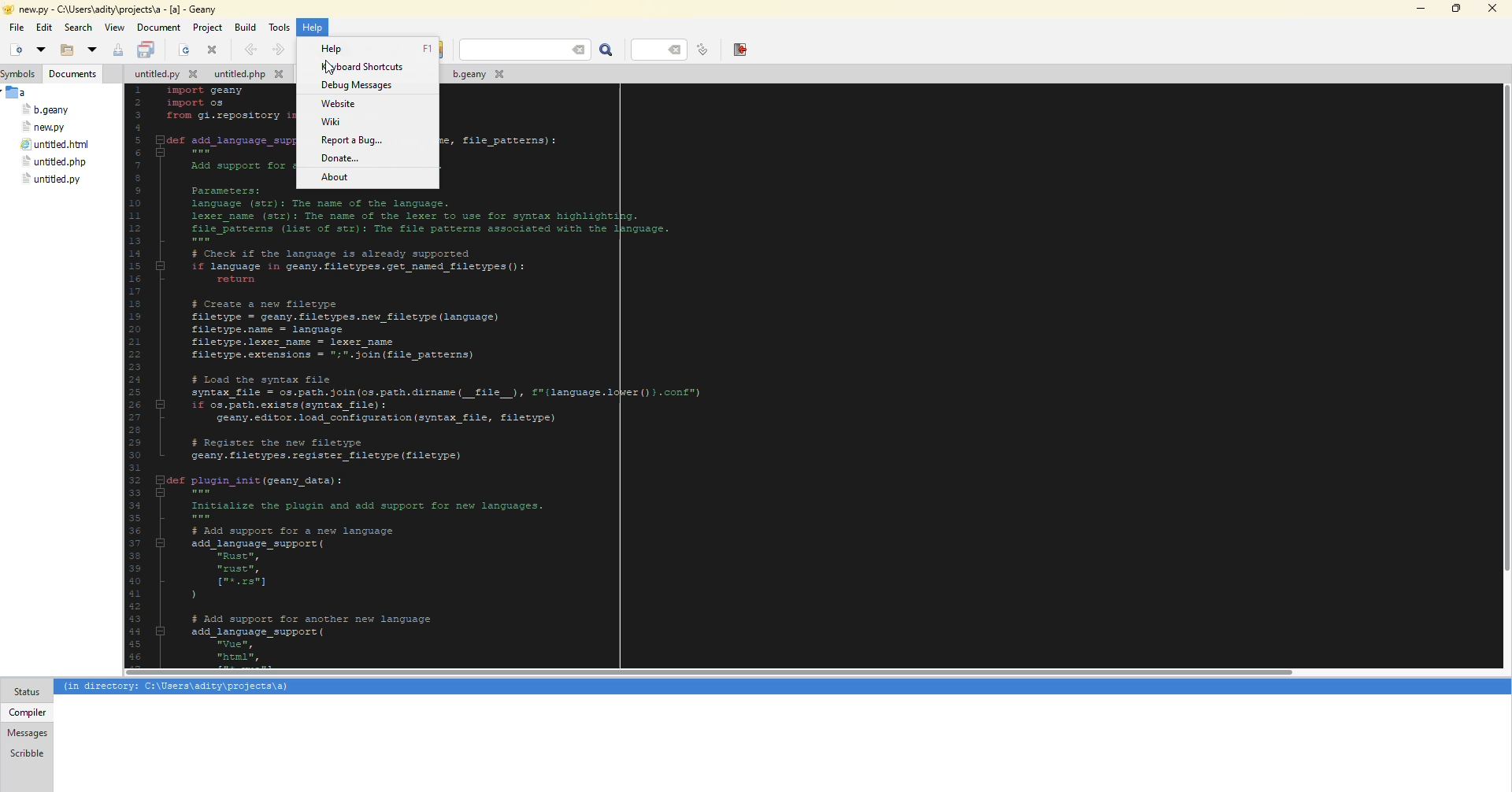 The height and width of the screenshot is (792, 1512). What do you see at coordinates (51, 179) in the screenshot?
I see `file` at bounding box center [51, 179].